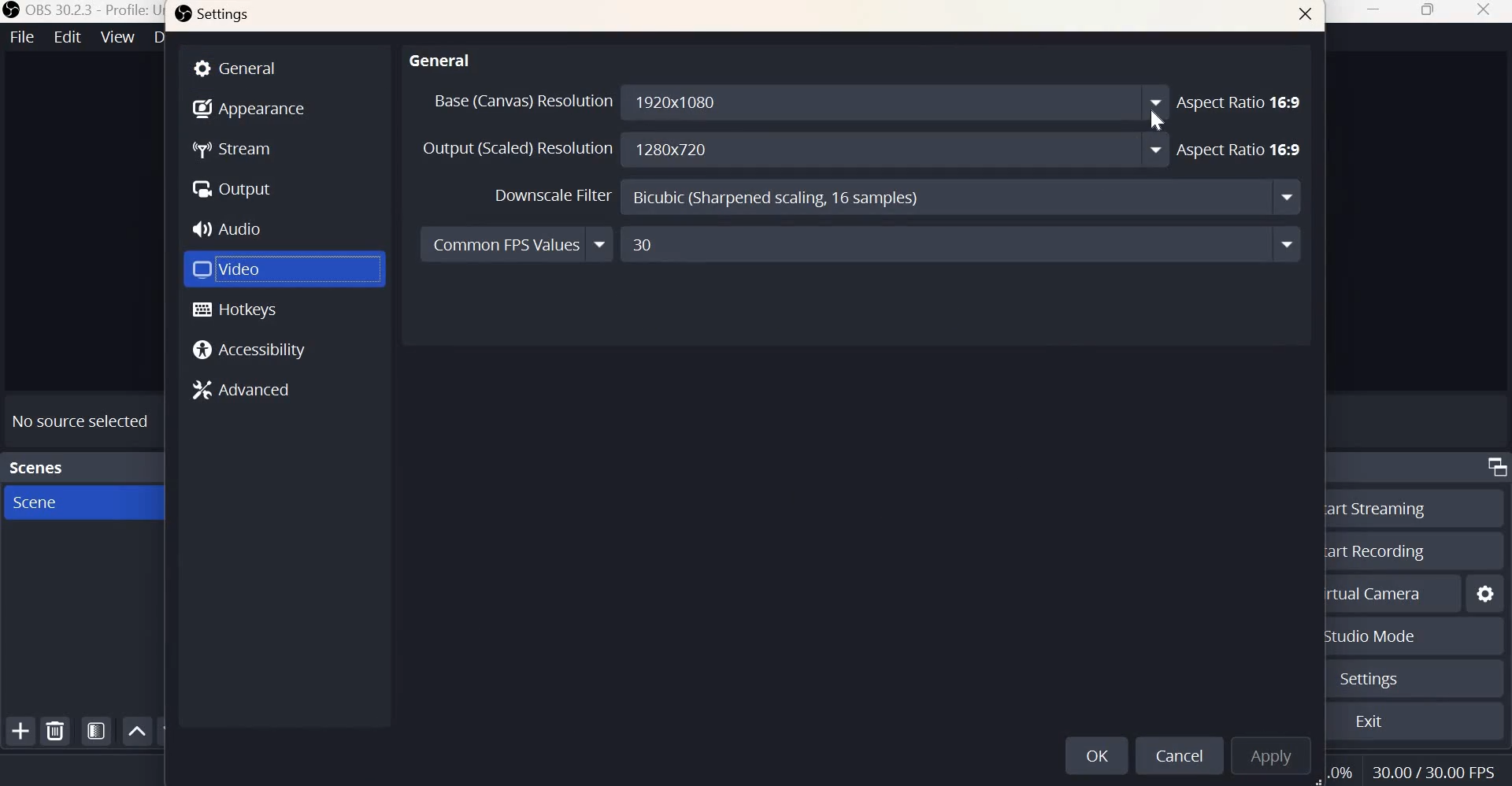  Describe the element at coordinates (521, 101) in the screenshot. I see `Base (canvas) Resolution` at that location.